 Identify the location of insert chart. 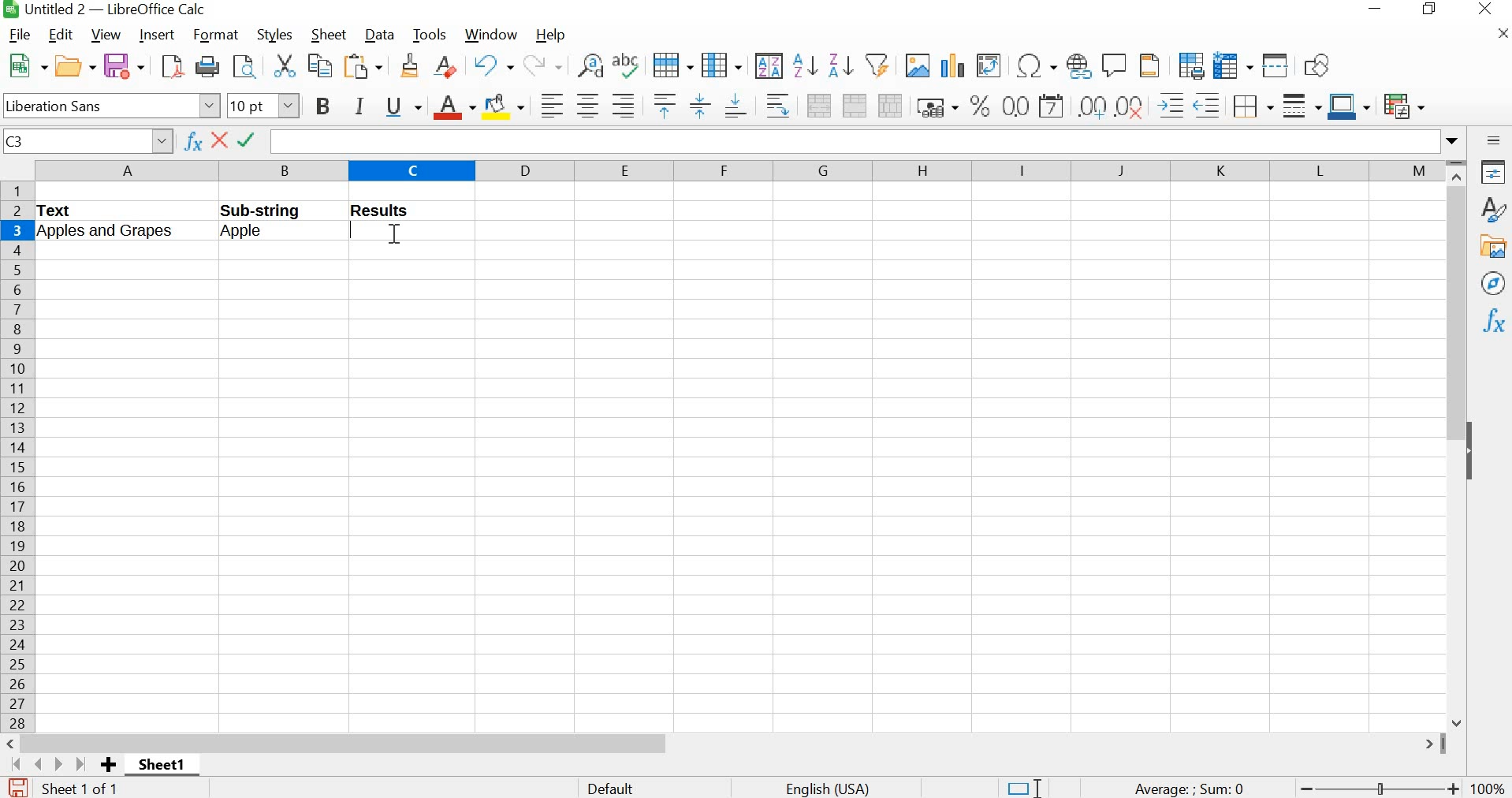
(954, 63).